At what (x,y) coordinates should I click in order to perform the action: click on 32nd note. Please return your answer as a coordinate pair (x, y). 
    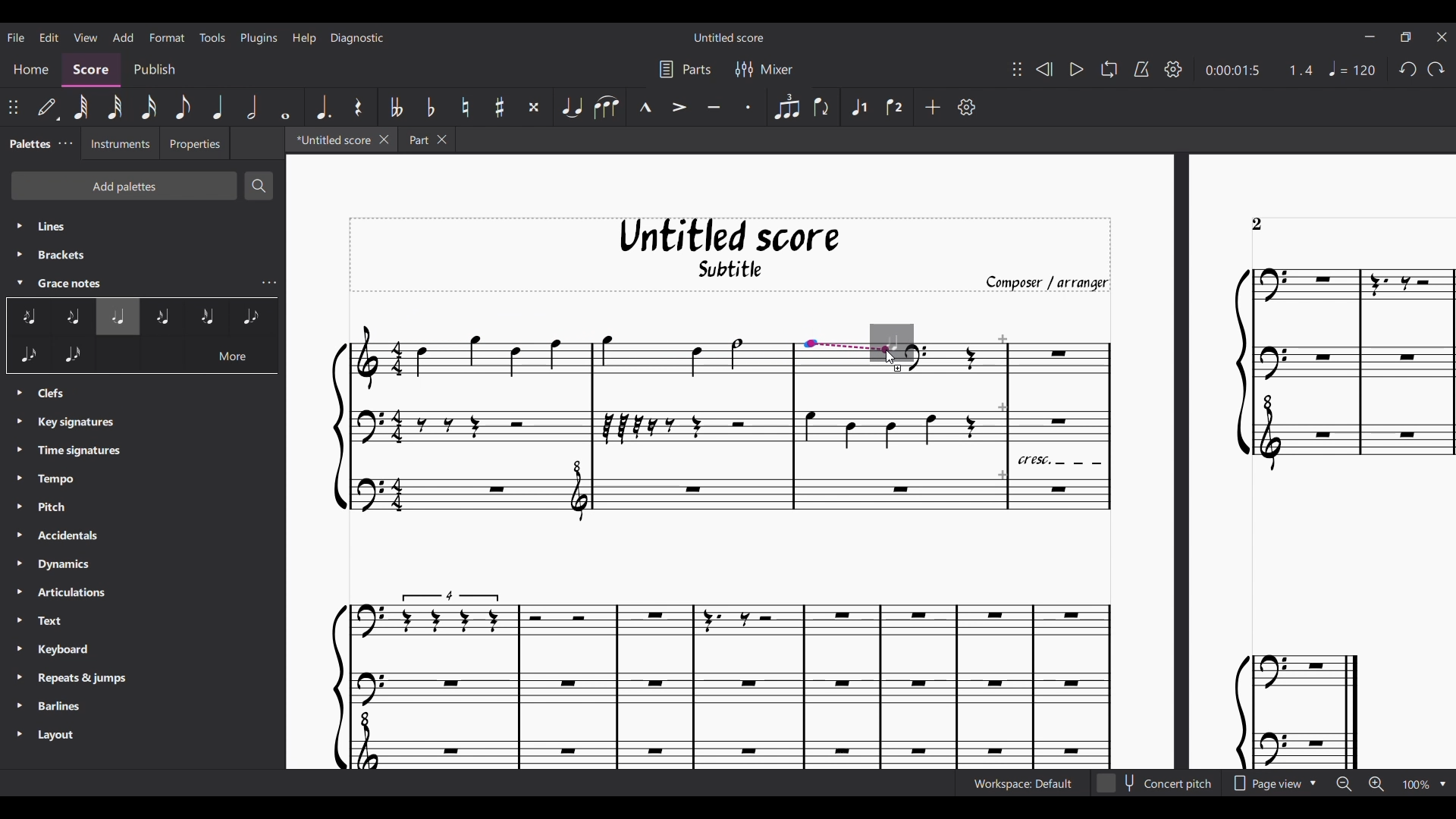
    Looking at the image, I should click on (114, 108).